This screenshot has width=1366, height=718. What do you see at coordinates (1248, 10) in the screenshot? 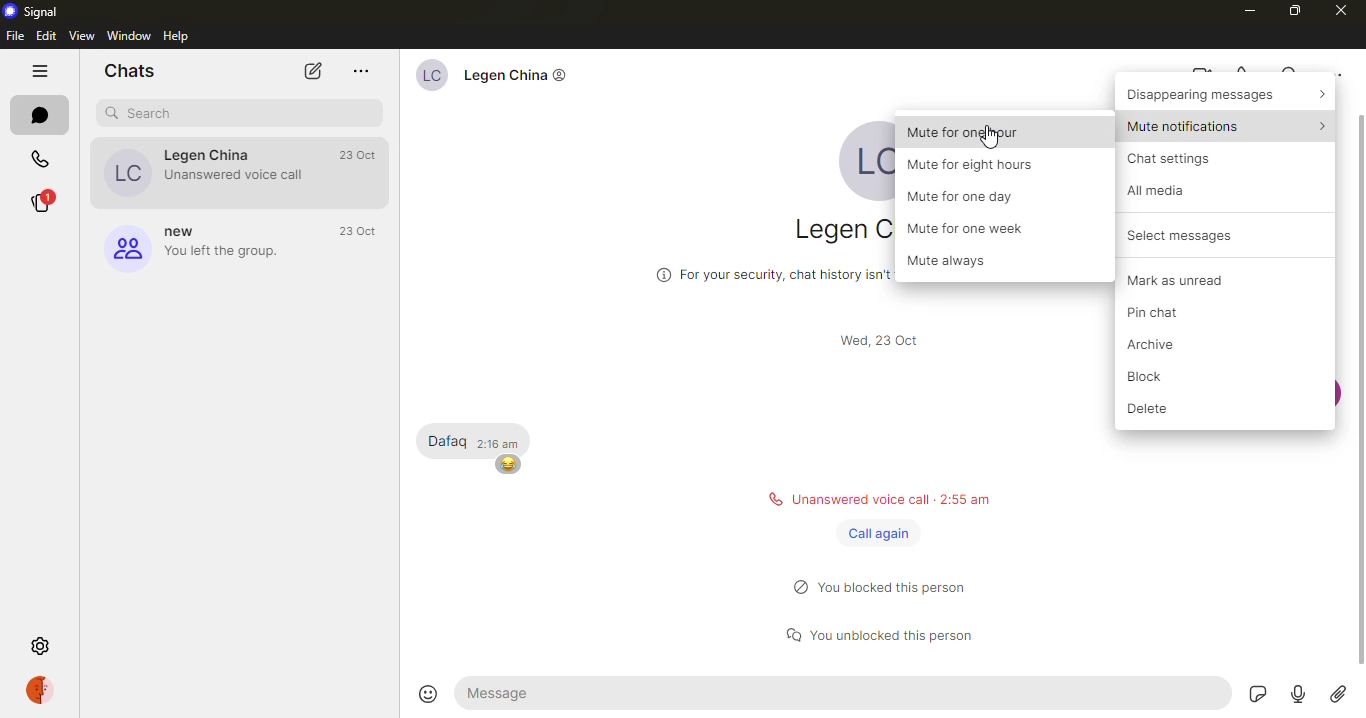
I see `minimize` at bounding box center [1248, 10].